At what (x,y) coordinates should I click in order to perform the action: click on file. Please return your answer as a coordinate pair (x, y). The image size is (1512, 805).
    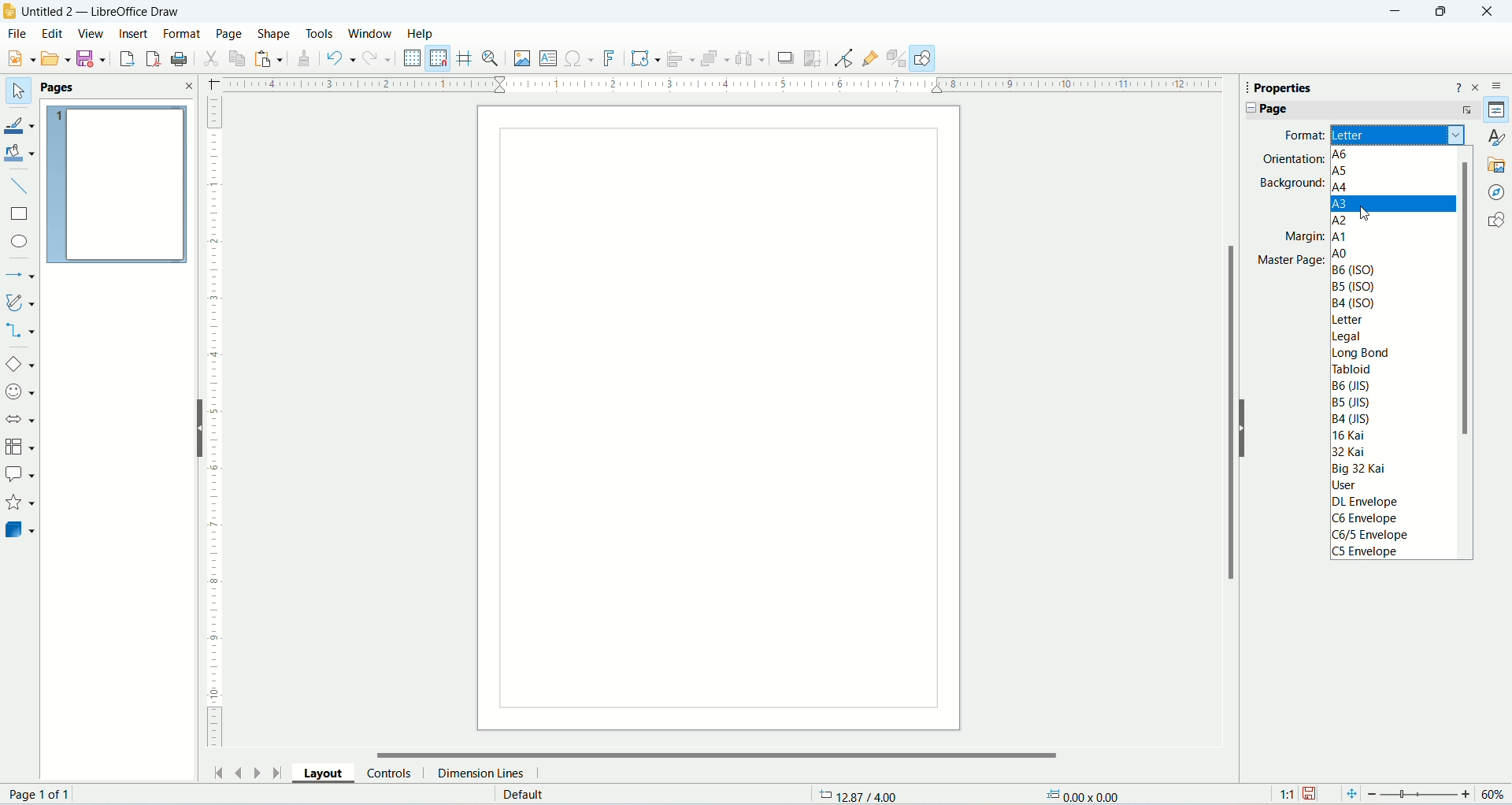
    Looking at the image, I should click on (17, 34).